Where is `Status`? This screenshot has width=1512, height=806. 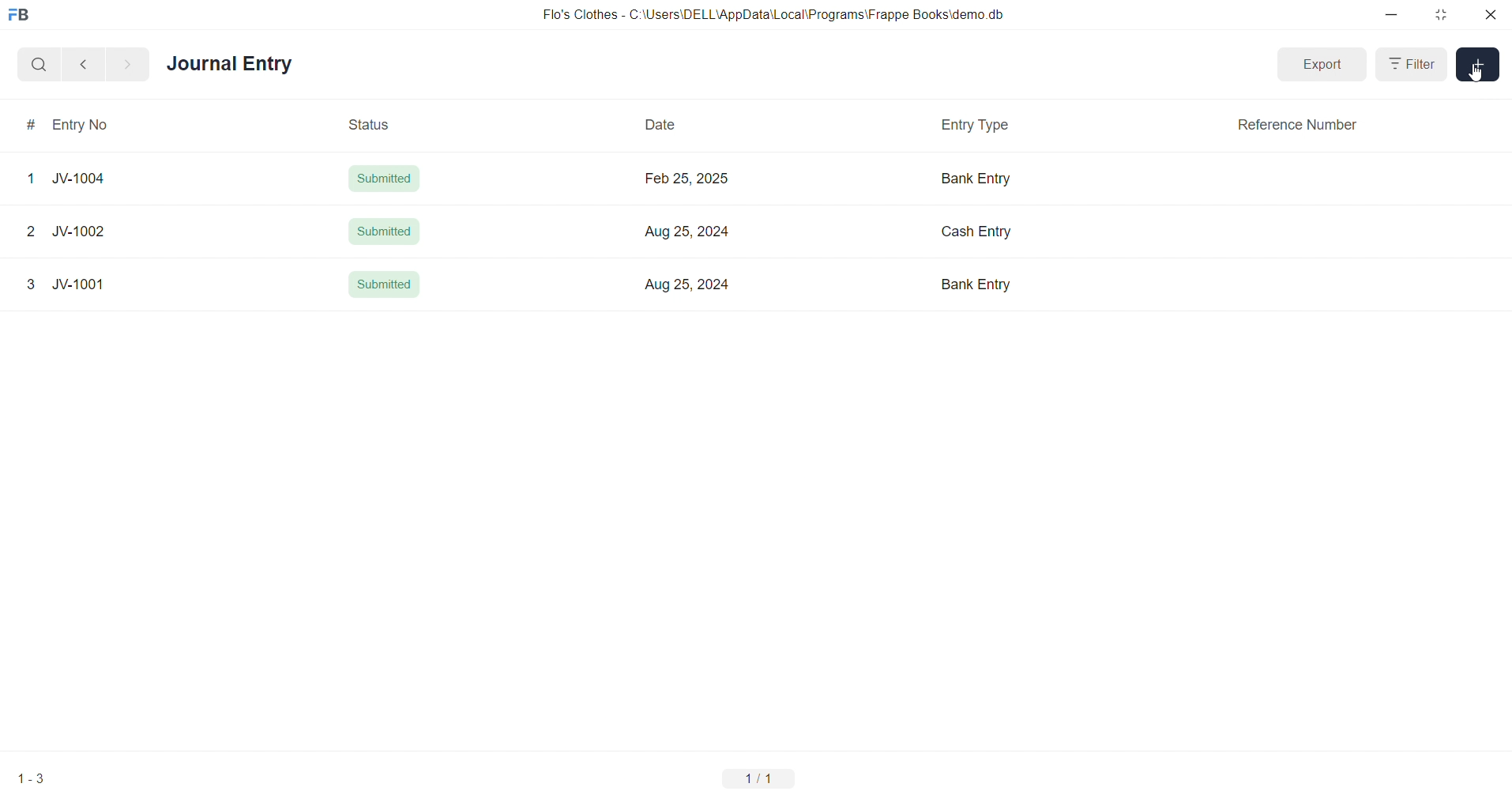 Status is located at coordinates (373, 124).